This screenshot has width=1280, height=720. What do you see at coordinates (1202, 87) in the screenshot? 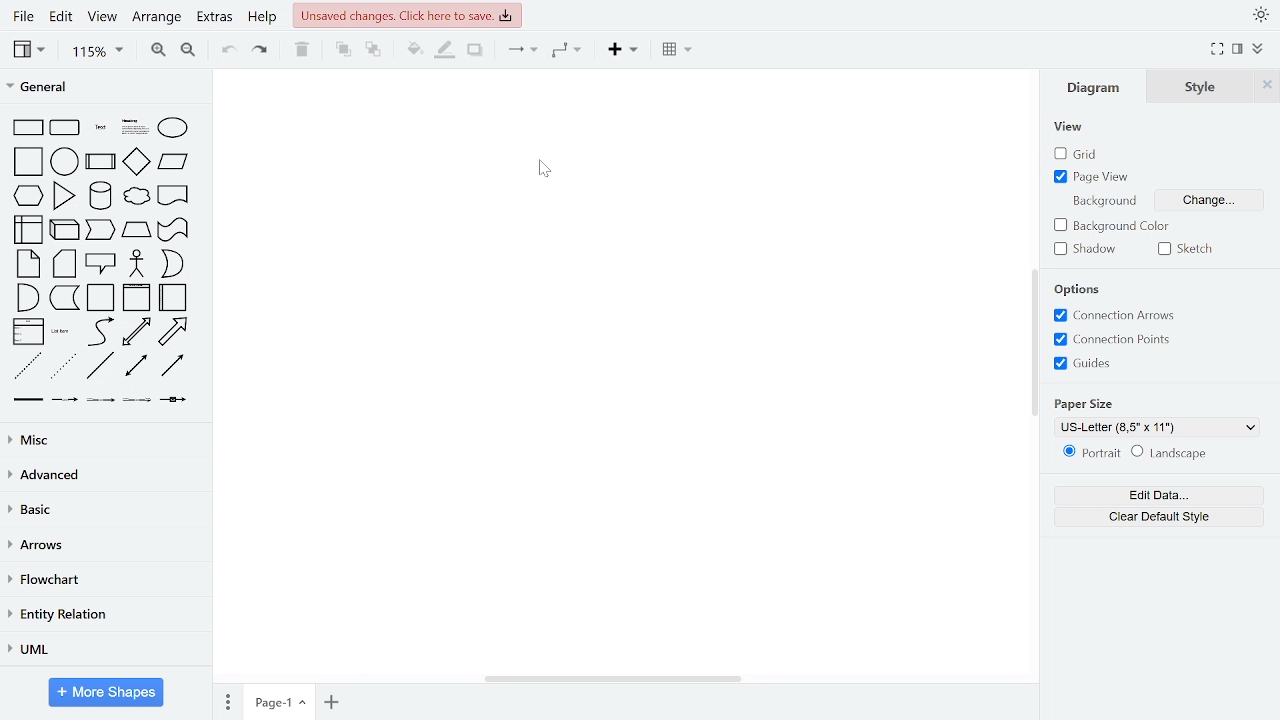
I see `style` at bounding box center [1202, 87].